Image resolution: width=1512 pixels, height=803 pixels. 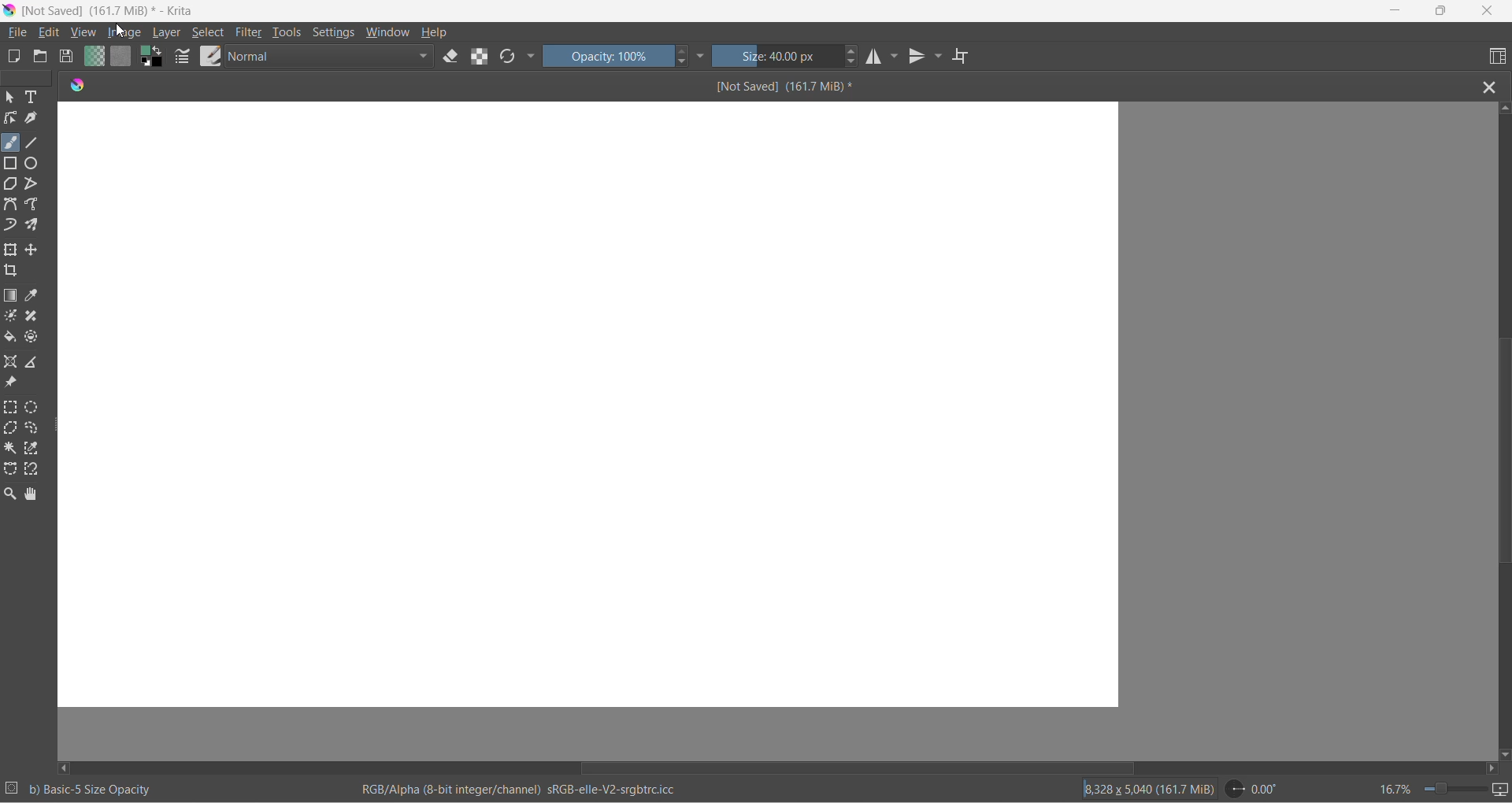 What do you see at coordinates (510, 58) in the screenshot?
I see `reload the original presets` at bounding box center [510, 58].